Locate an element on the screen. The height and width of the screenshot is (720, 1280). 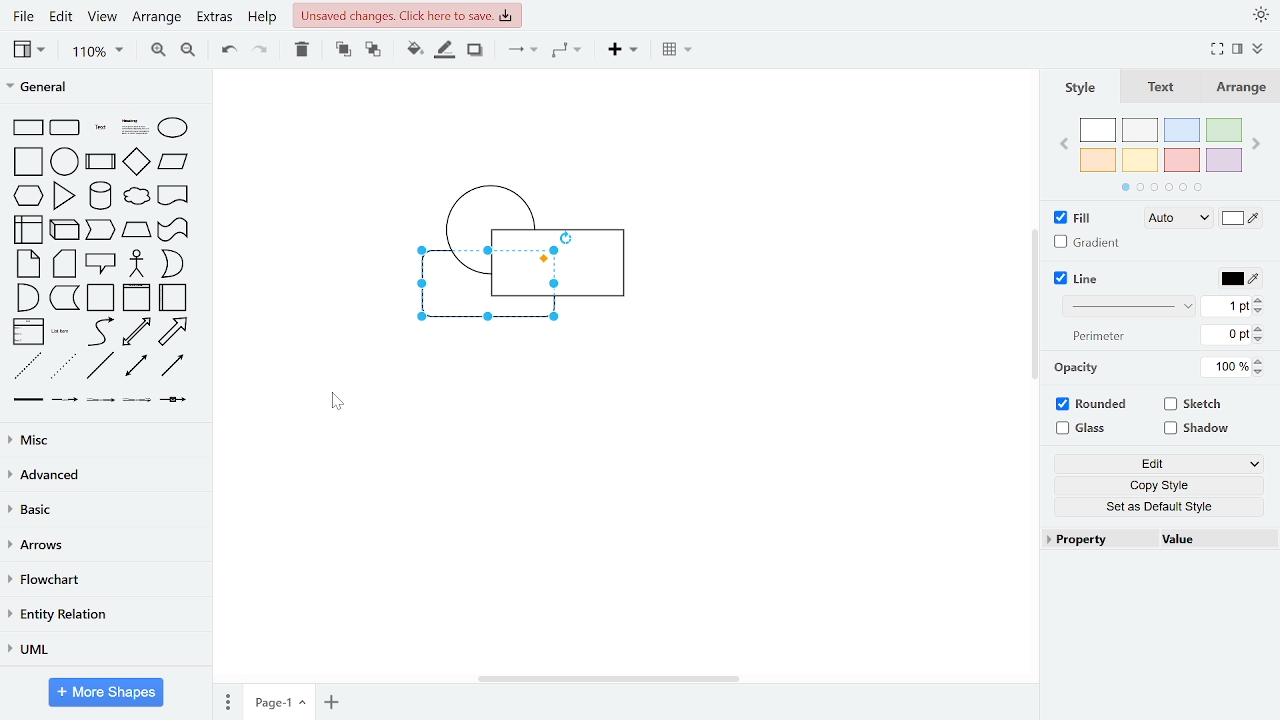
vertical scrollbar is located at coordinates (1035, 304).